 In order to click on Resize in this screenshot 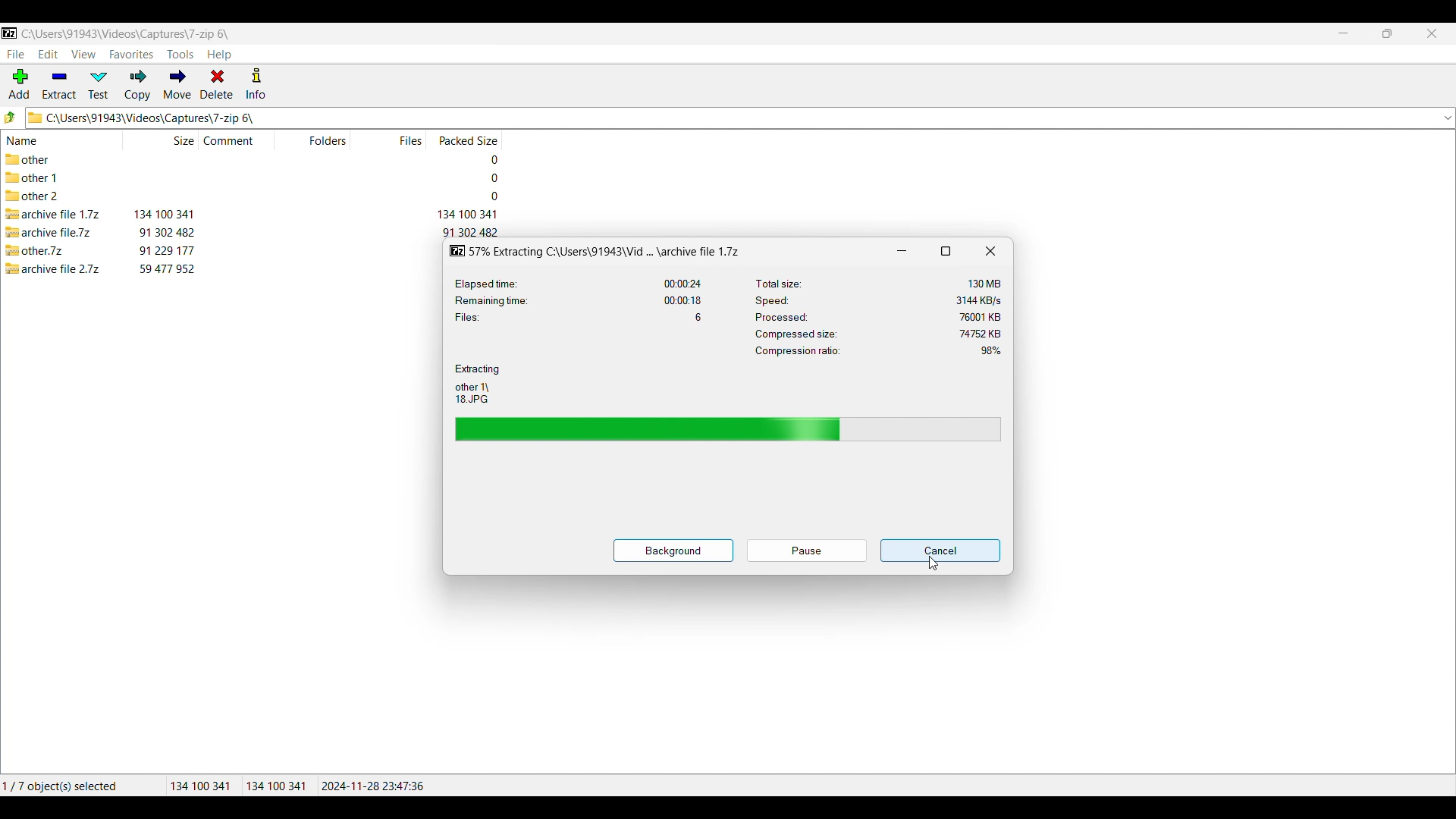, I will do `click(1387, 33)`.